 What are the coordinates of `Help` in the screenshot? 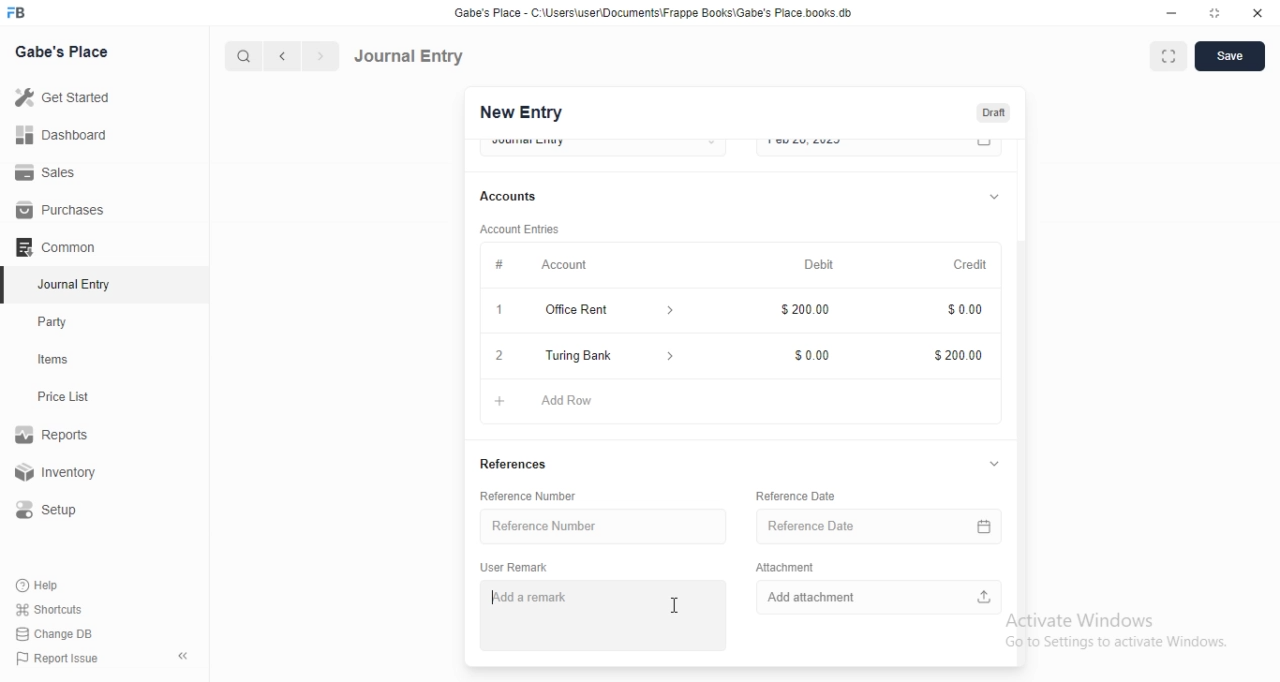 It's located at (41, 585).